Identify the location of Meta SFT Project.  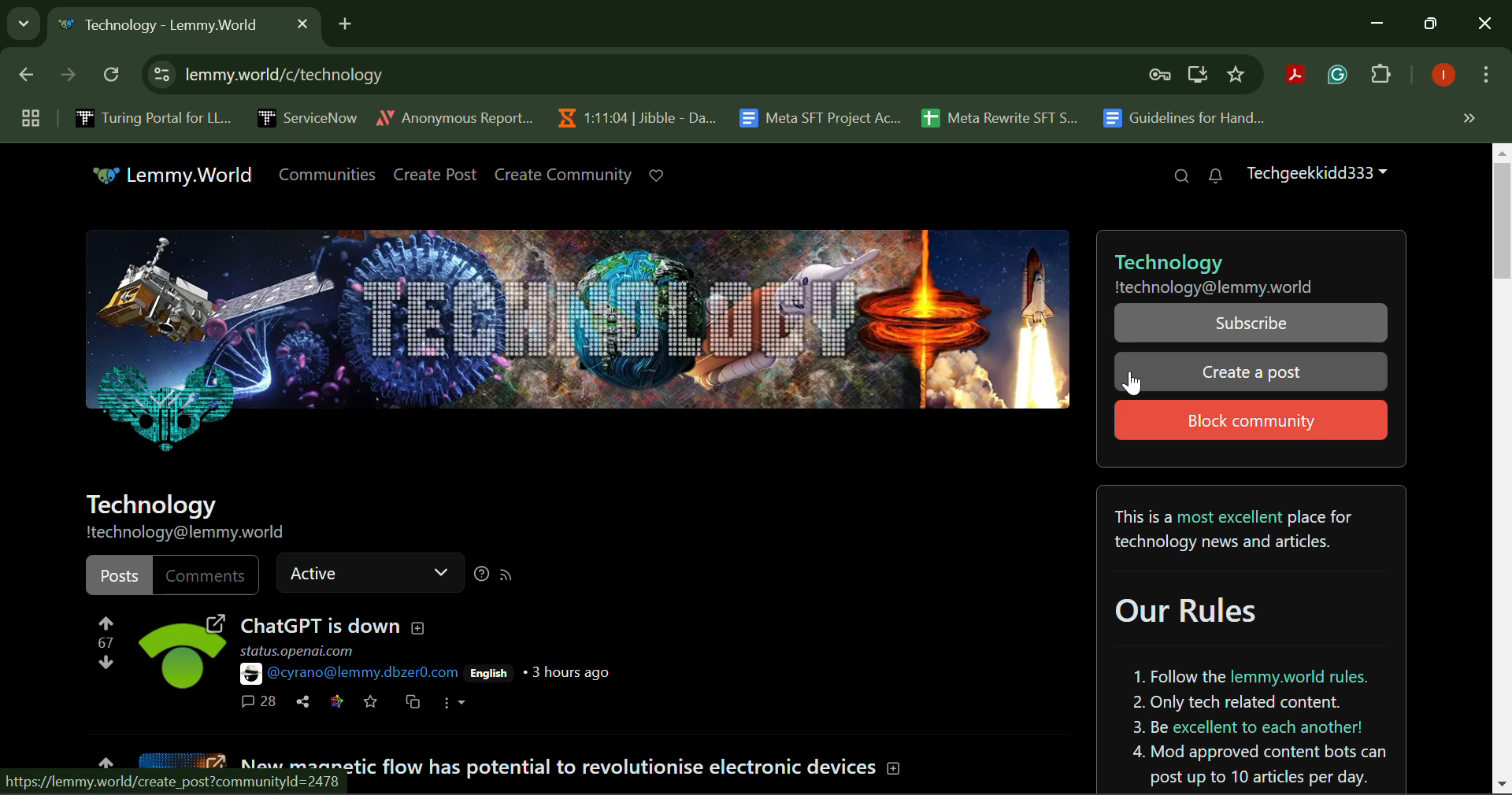
(822, 116).